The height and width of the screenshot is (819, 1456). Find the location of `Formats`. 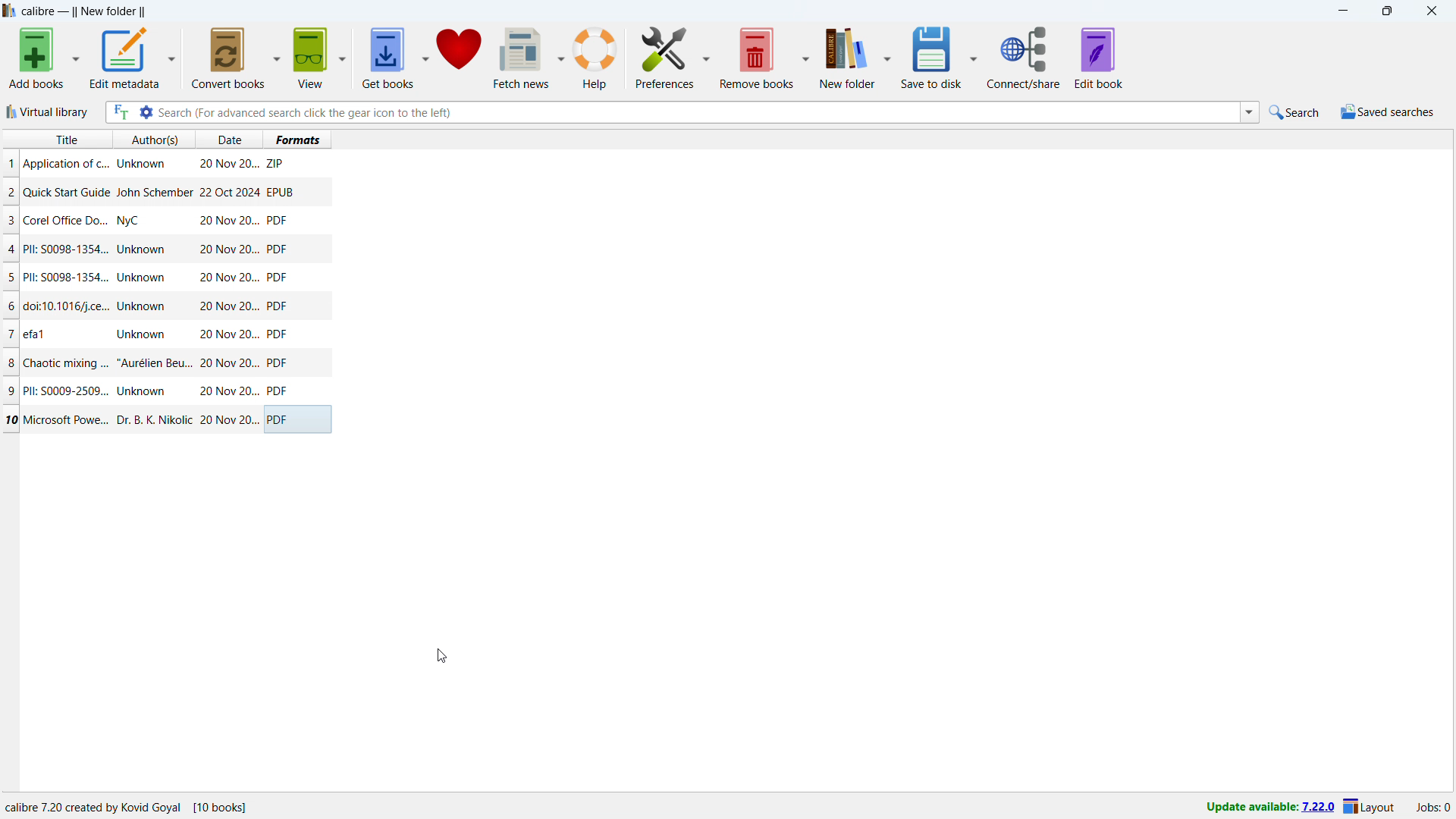

Formats is located at coordinates (298, 139).